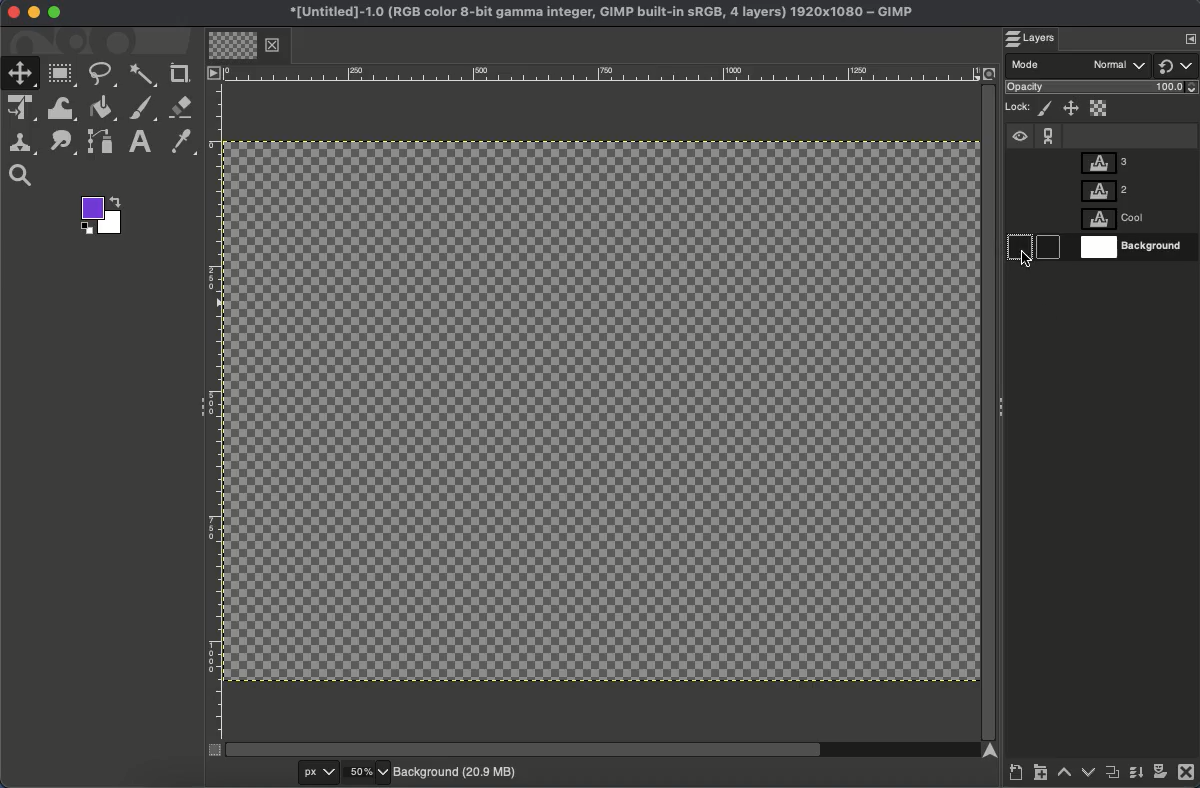  Describe the element at coordinates (366, 772) in the screenshot. I see `50%` at that location.